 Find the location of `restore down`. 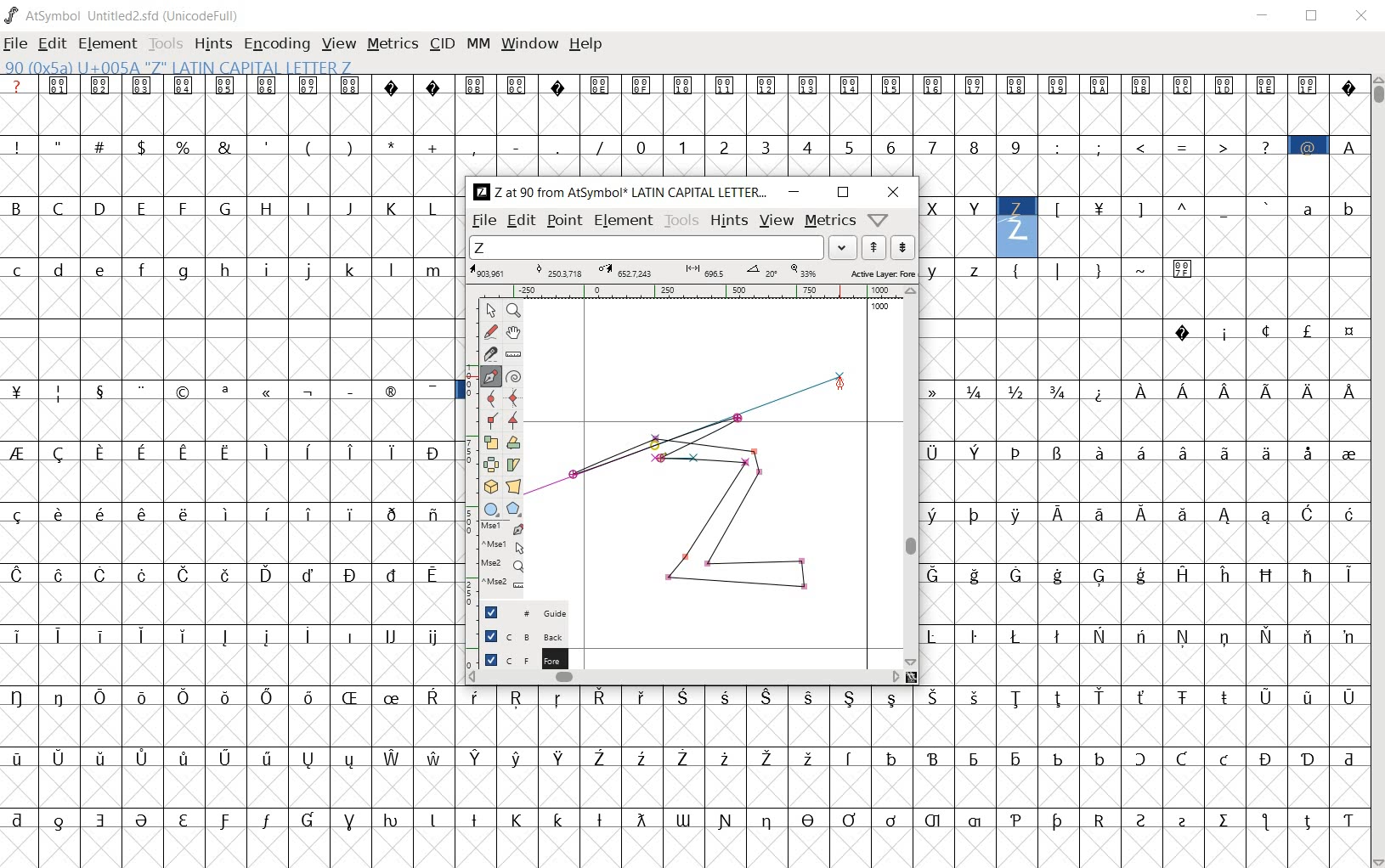

restore down is located at coordinates (1314, 18).